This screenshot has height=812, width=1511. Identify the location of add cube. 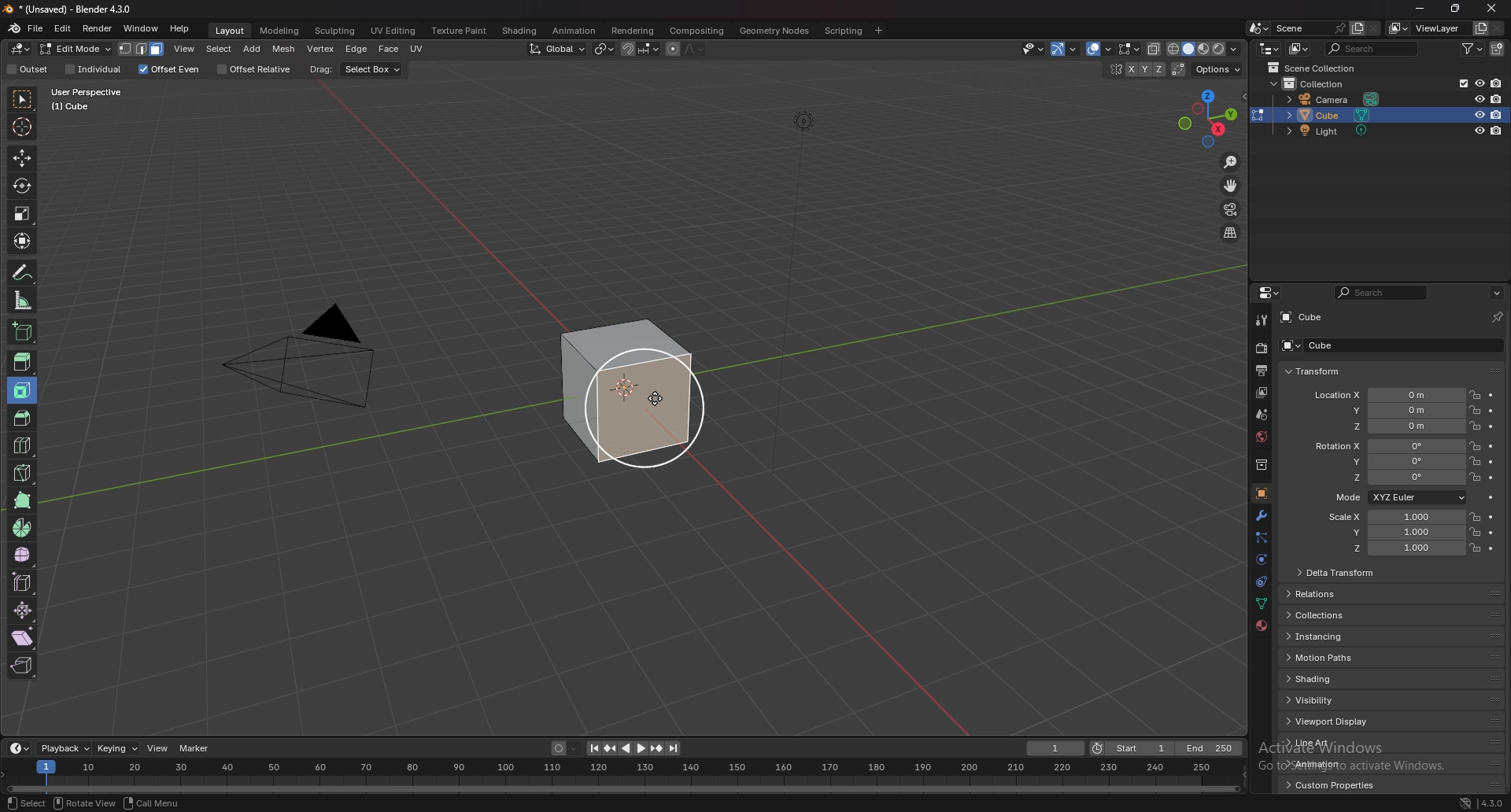
(22, 330).